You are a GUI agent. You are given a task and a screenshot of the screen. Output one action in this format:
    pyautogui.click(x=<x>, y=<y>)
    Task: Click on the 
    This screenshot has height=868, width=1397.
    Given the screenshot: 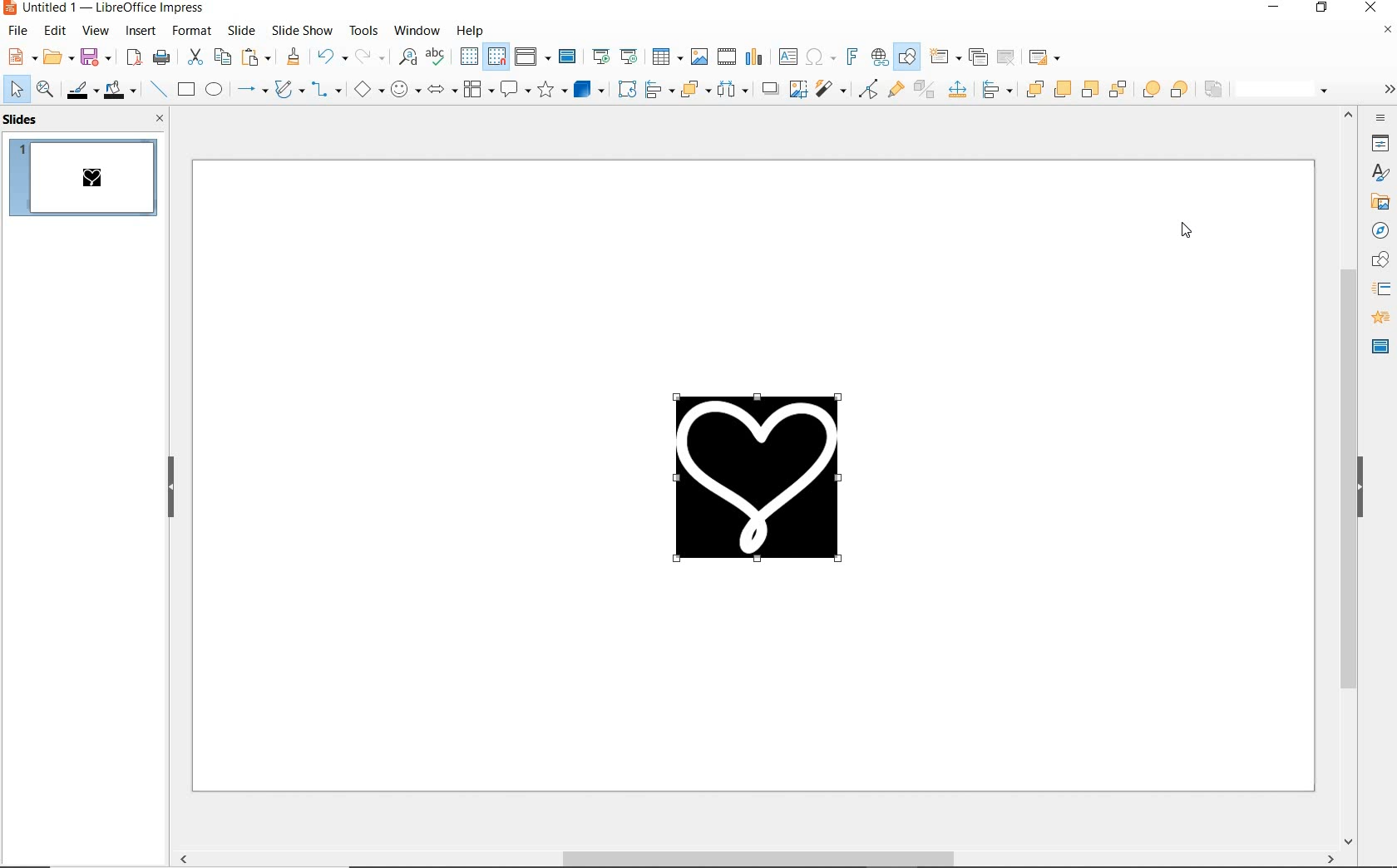 What is the action you would take?
    pyautogui.click(x=957, y=90)
    